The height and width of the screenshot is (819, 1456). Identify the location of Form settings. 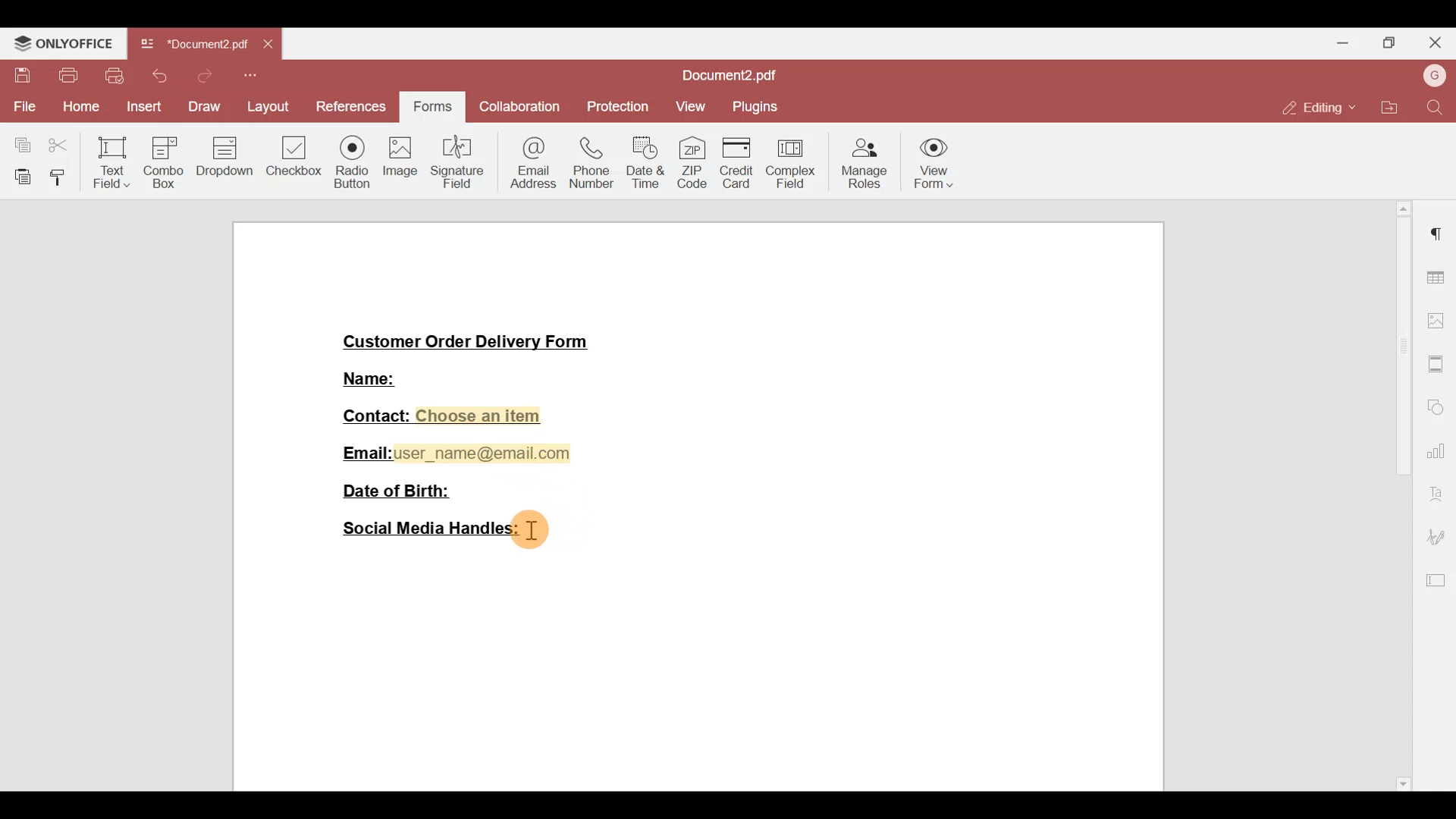
(1438, 579).